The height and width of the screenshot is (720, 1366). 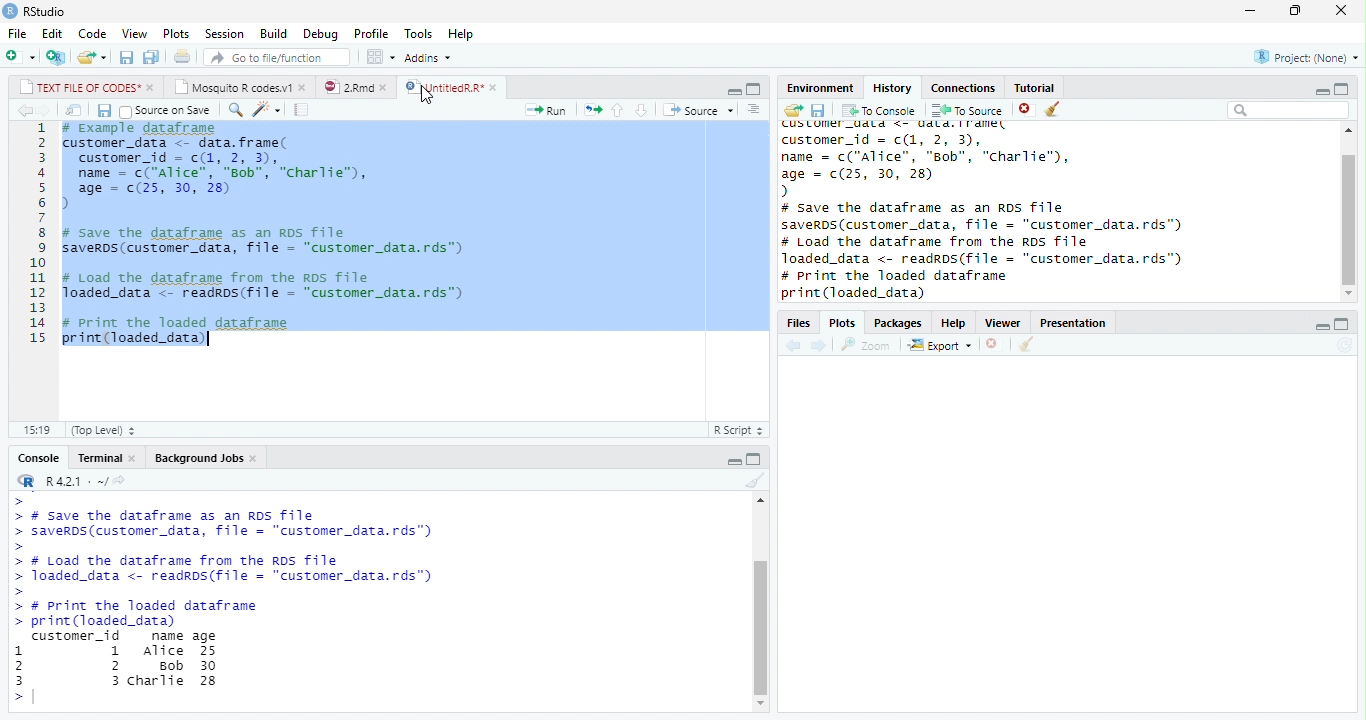 I want to click on down, so click(x=640, y=111).